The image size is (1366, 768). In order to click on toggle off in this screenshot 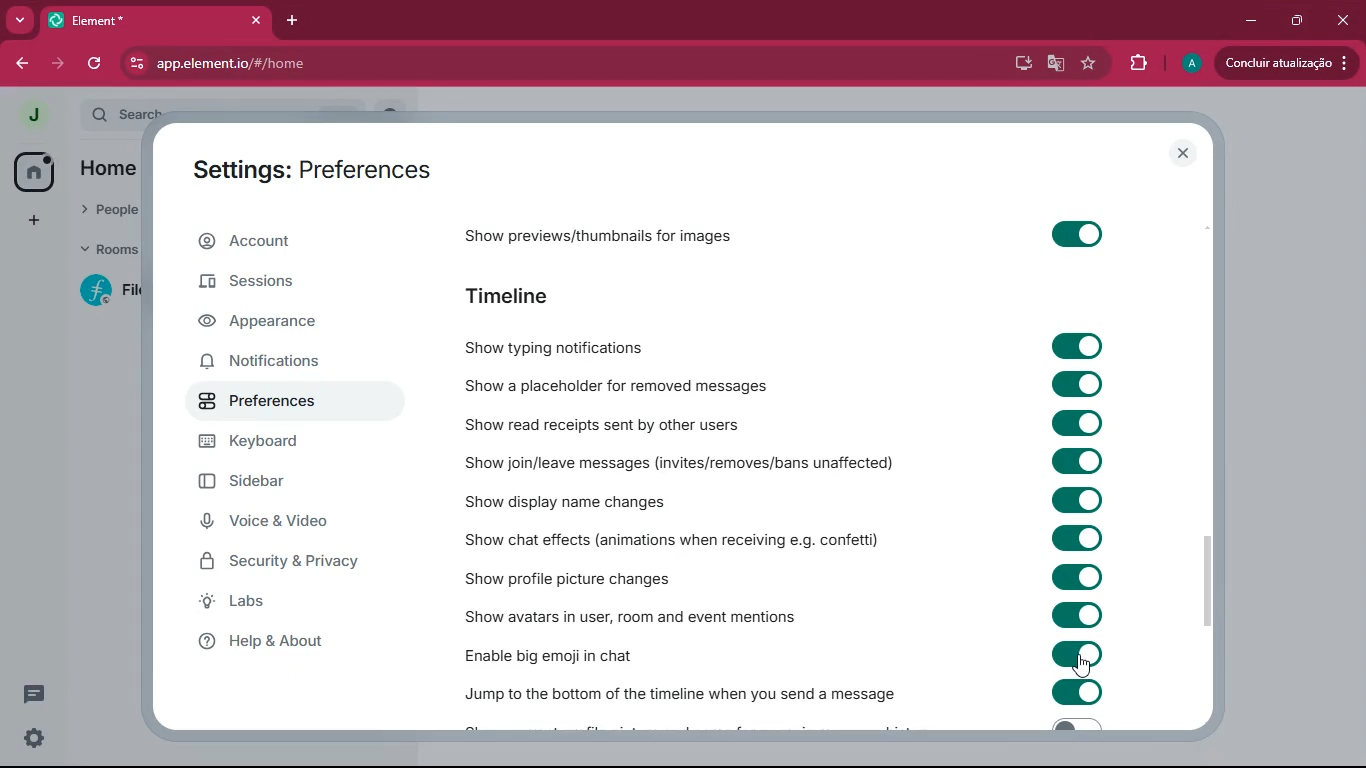, I will do `click(1073, 727)`.